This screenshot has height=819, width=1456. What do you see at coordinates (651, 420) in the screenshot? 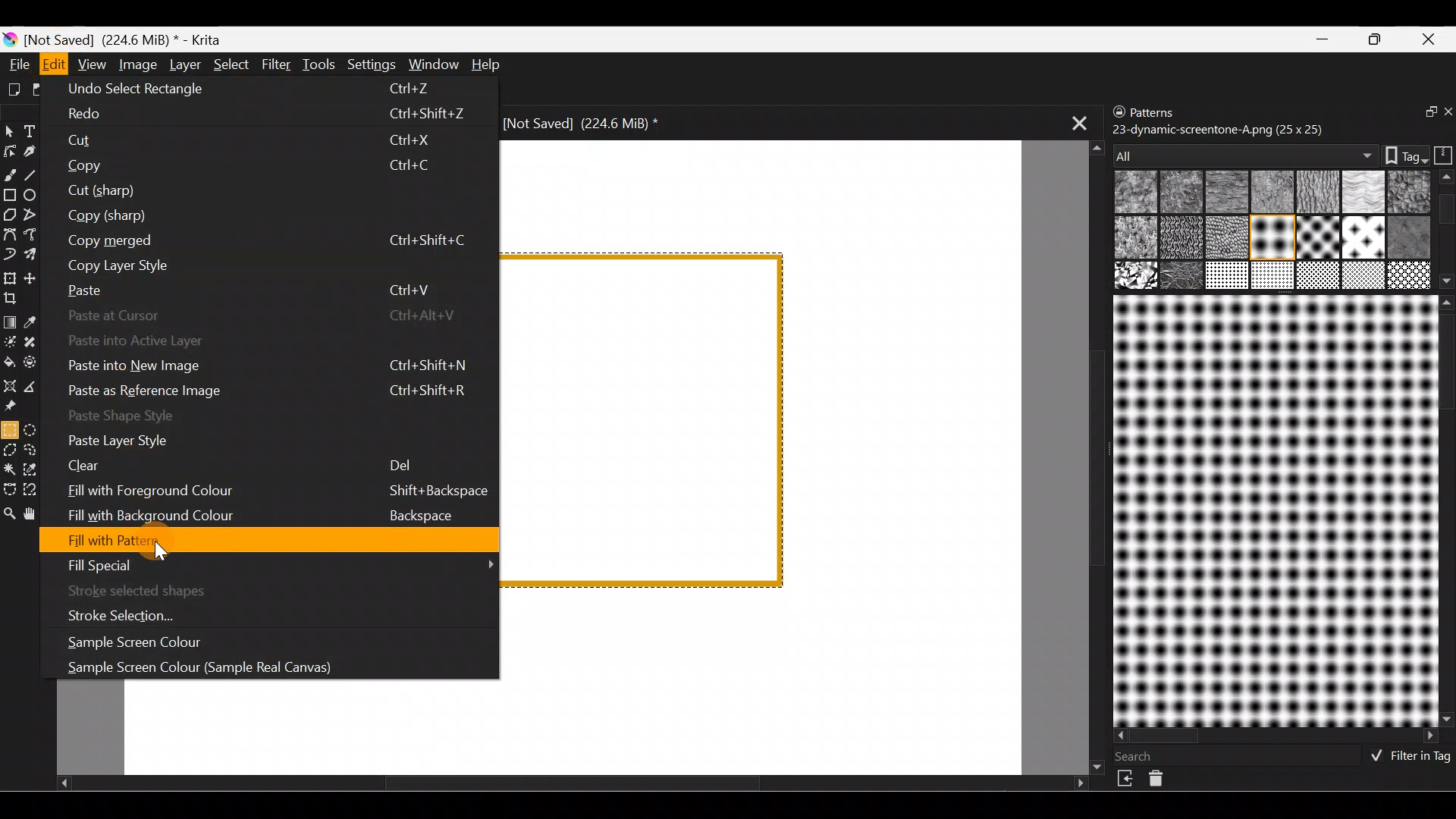
I see `Rectangular selection tool on rectangle shape` at bounding box center [651, 420].